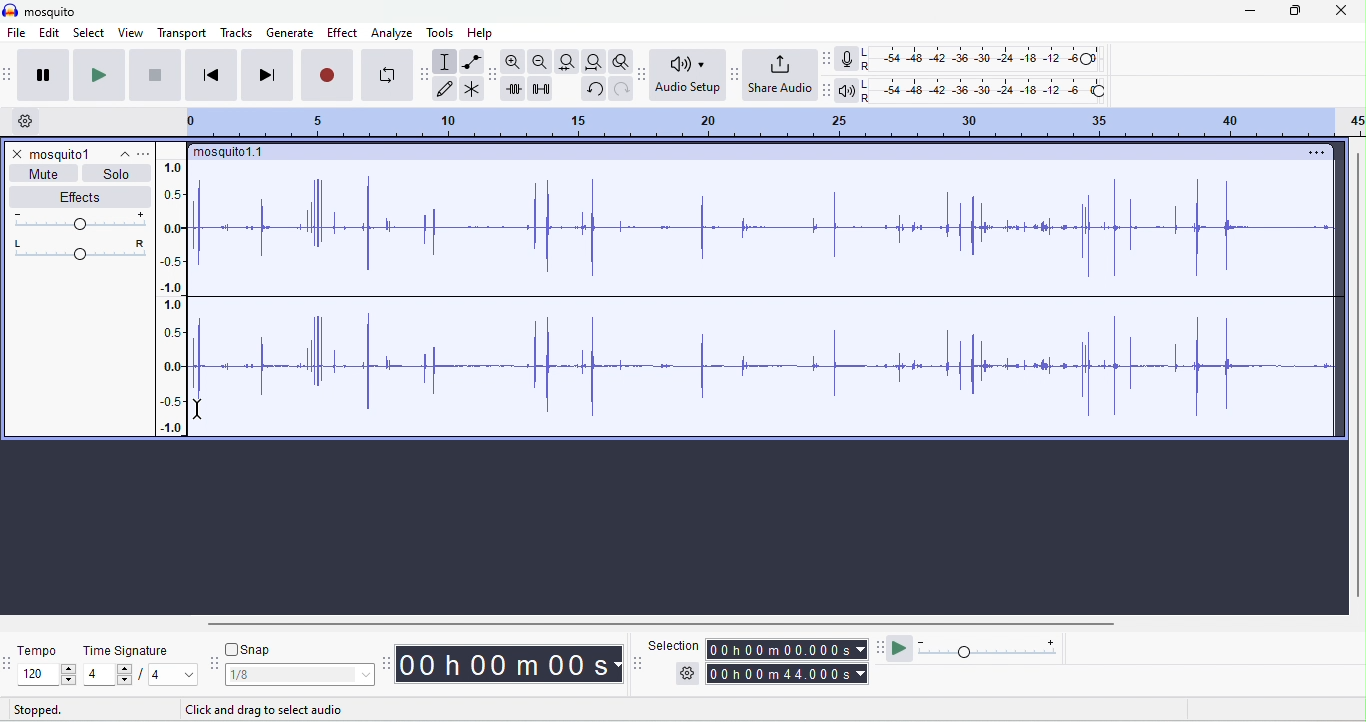 This screenshot has width=1366, height=722. I want to click on tempo tool, so click(9, 664).